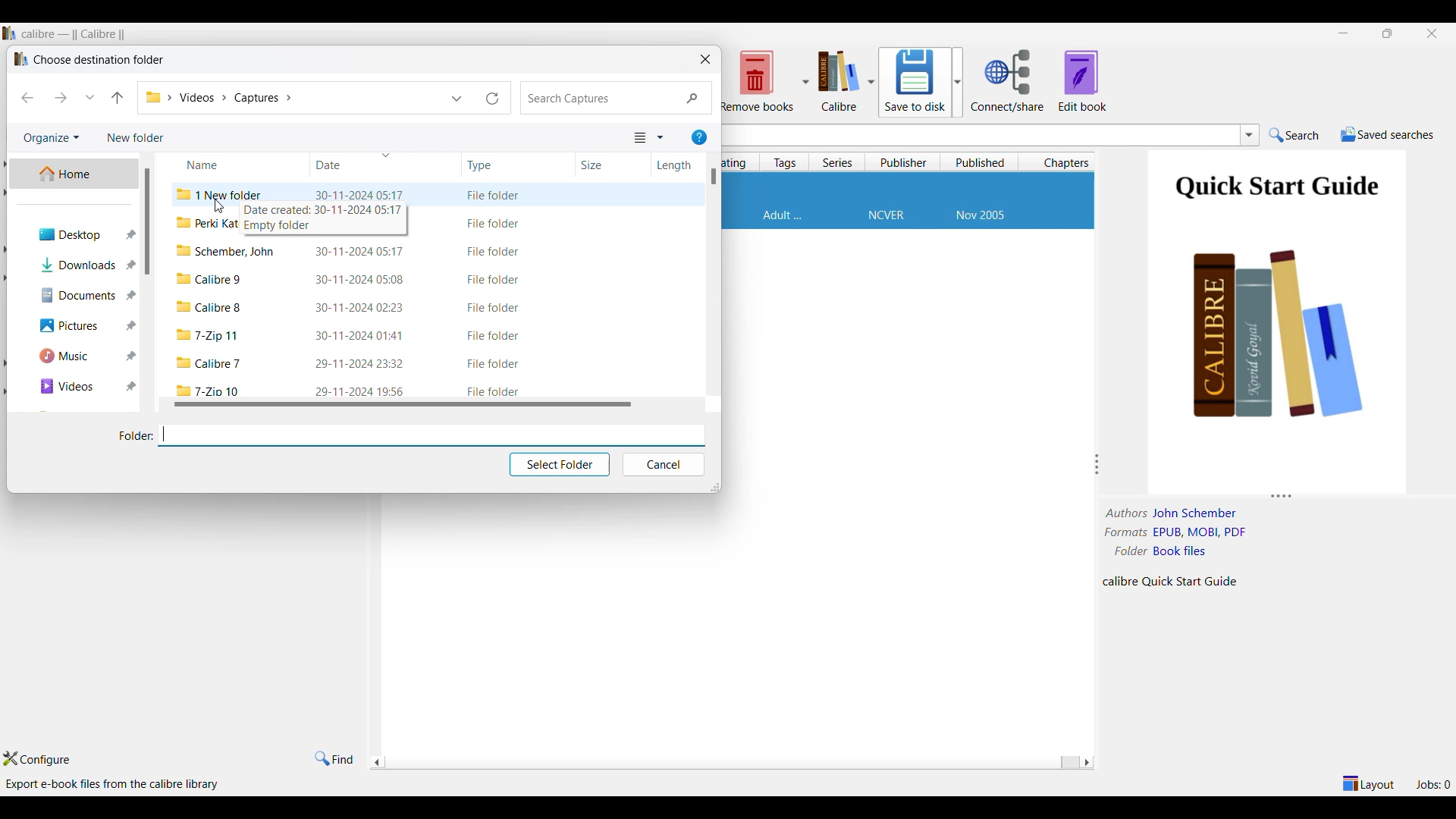  What do you see at coordinates (705, 58) in the screenshot?
I see `Close` at bounding box center [705, 58].